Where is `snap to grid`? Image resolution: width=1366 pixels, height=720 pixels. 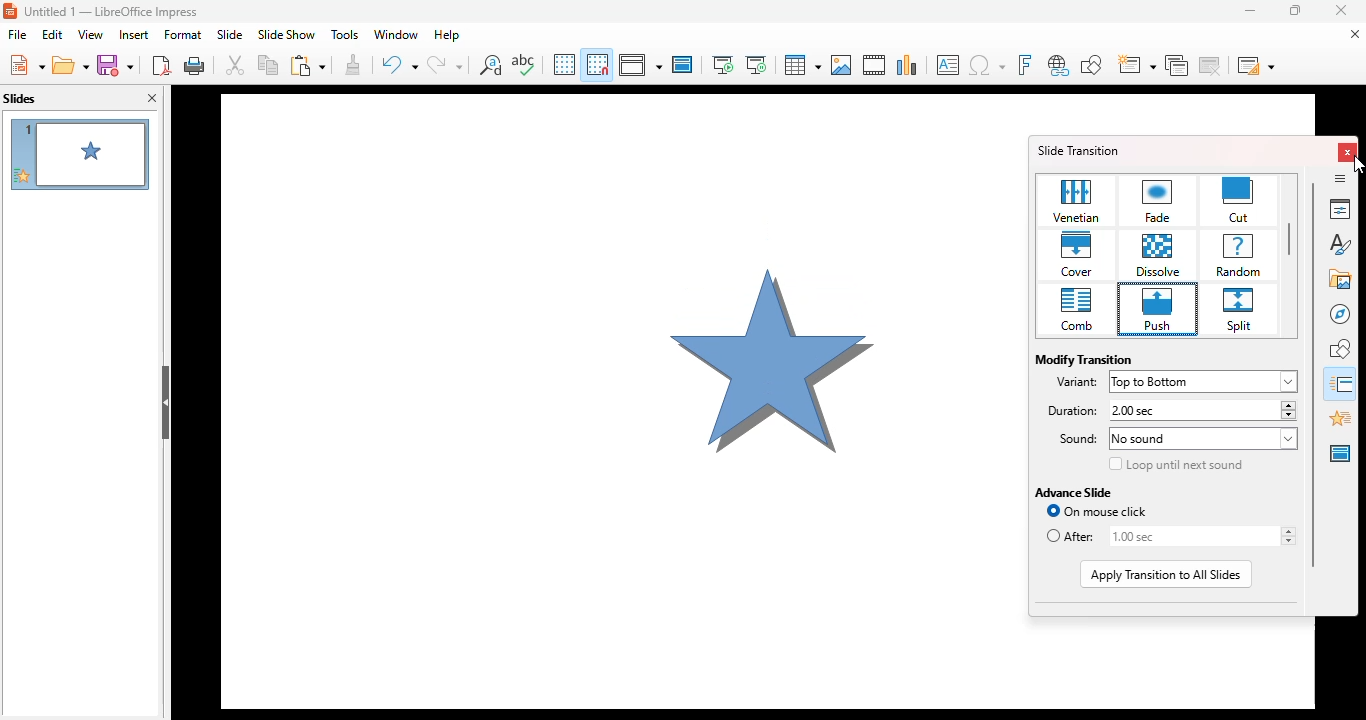 snap to grid is located at coordinates (598, 64).